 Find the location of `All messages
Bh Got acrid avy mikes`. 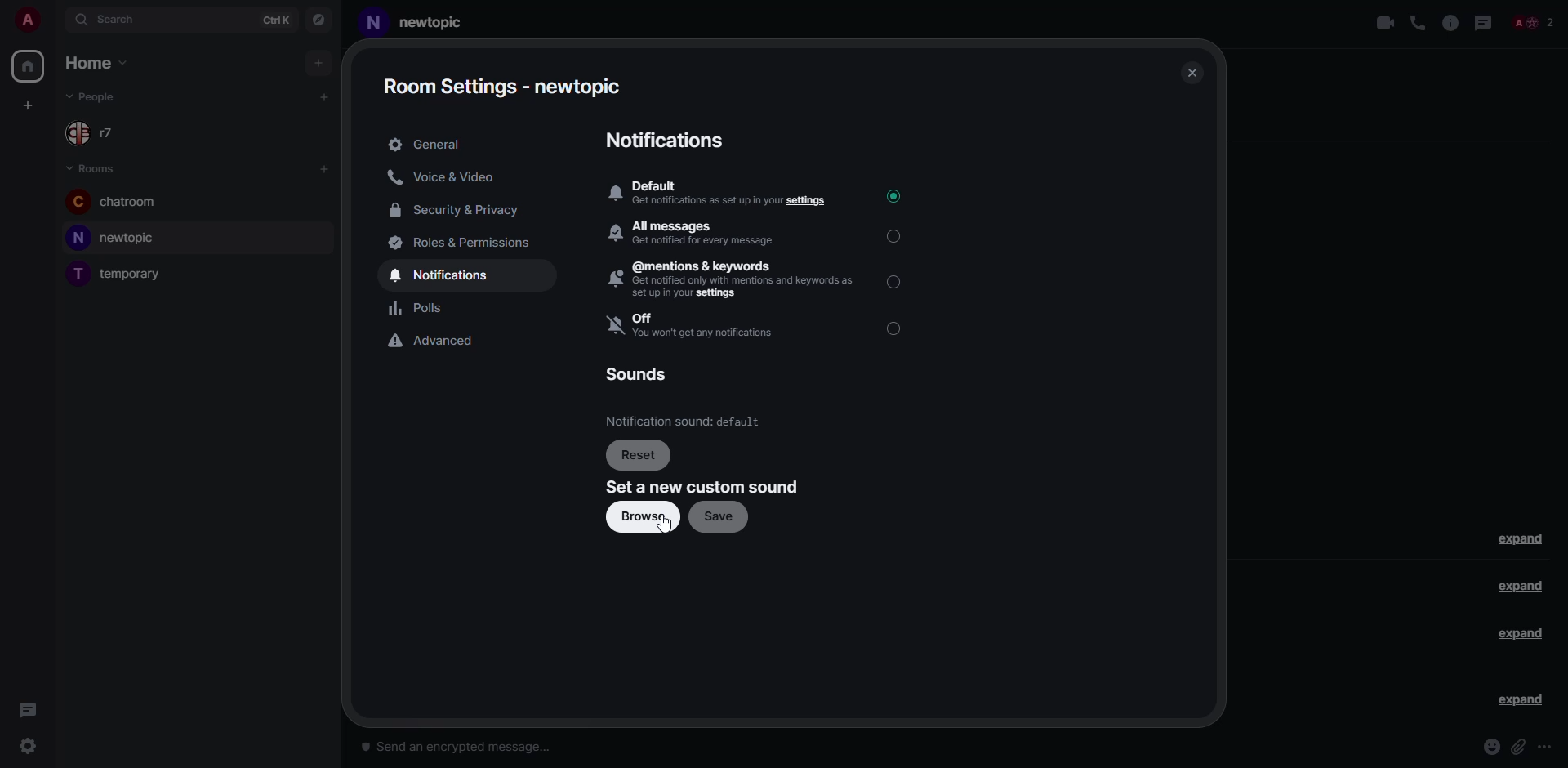

All messages
Bh Got acrid avy mikes is located at coordinates (698, 230).